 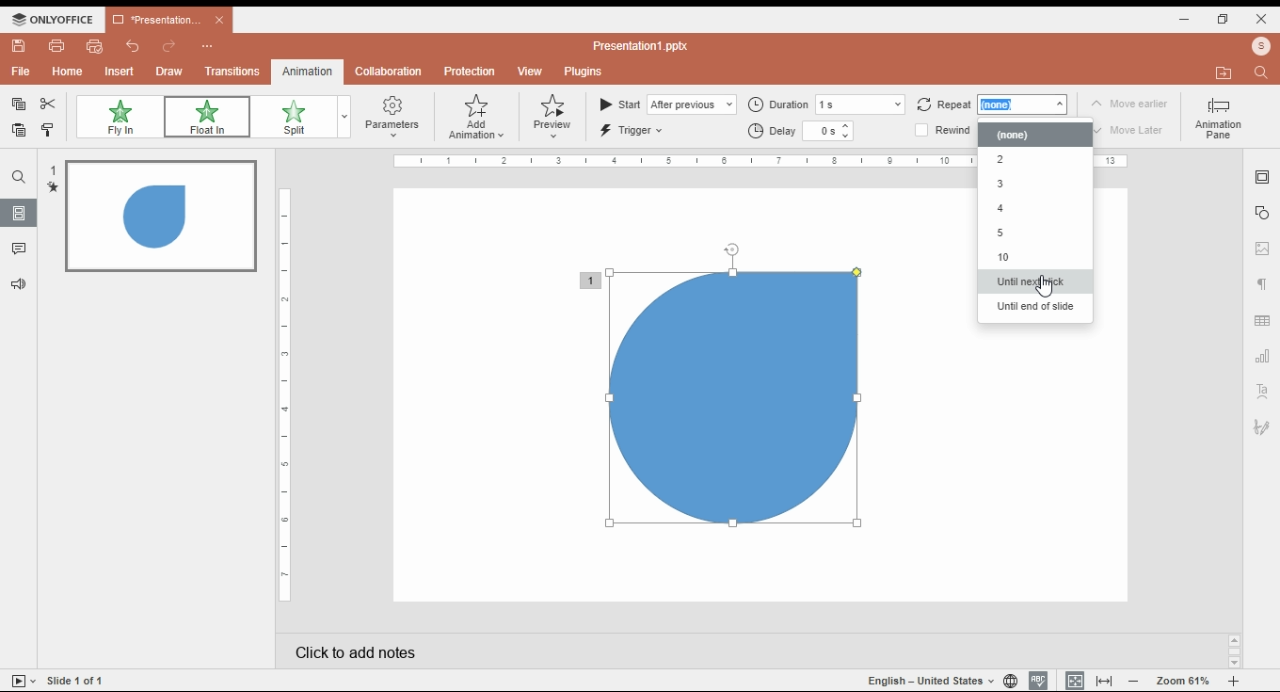 What do you see at coordinates (387, 72) in the screenshot?
I see `collaboration` at bounding box center [387, 72].